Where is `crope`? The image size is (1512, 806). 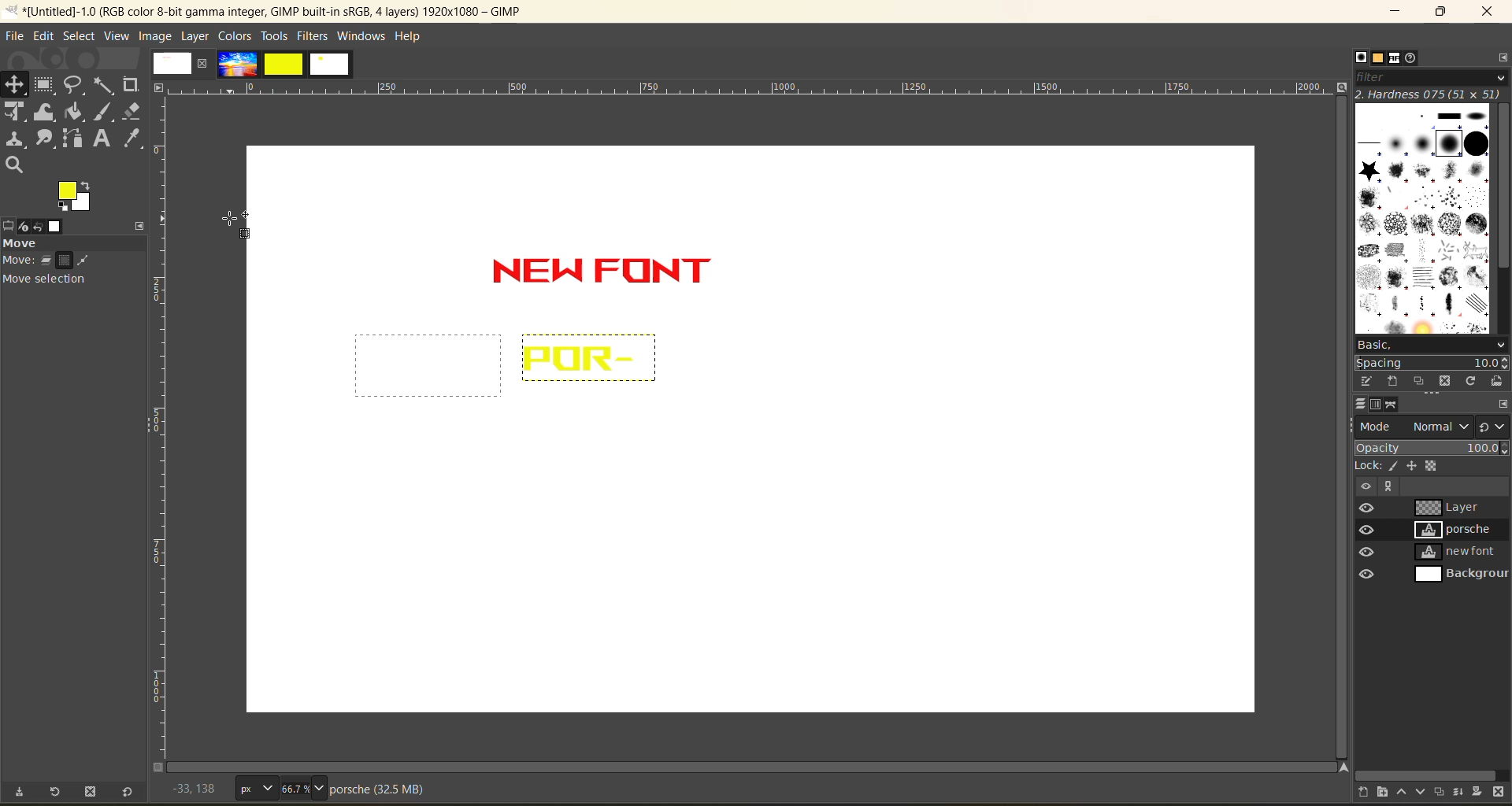
crope is located at coordinates (131, 85).